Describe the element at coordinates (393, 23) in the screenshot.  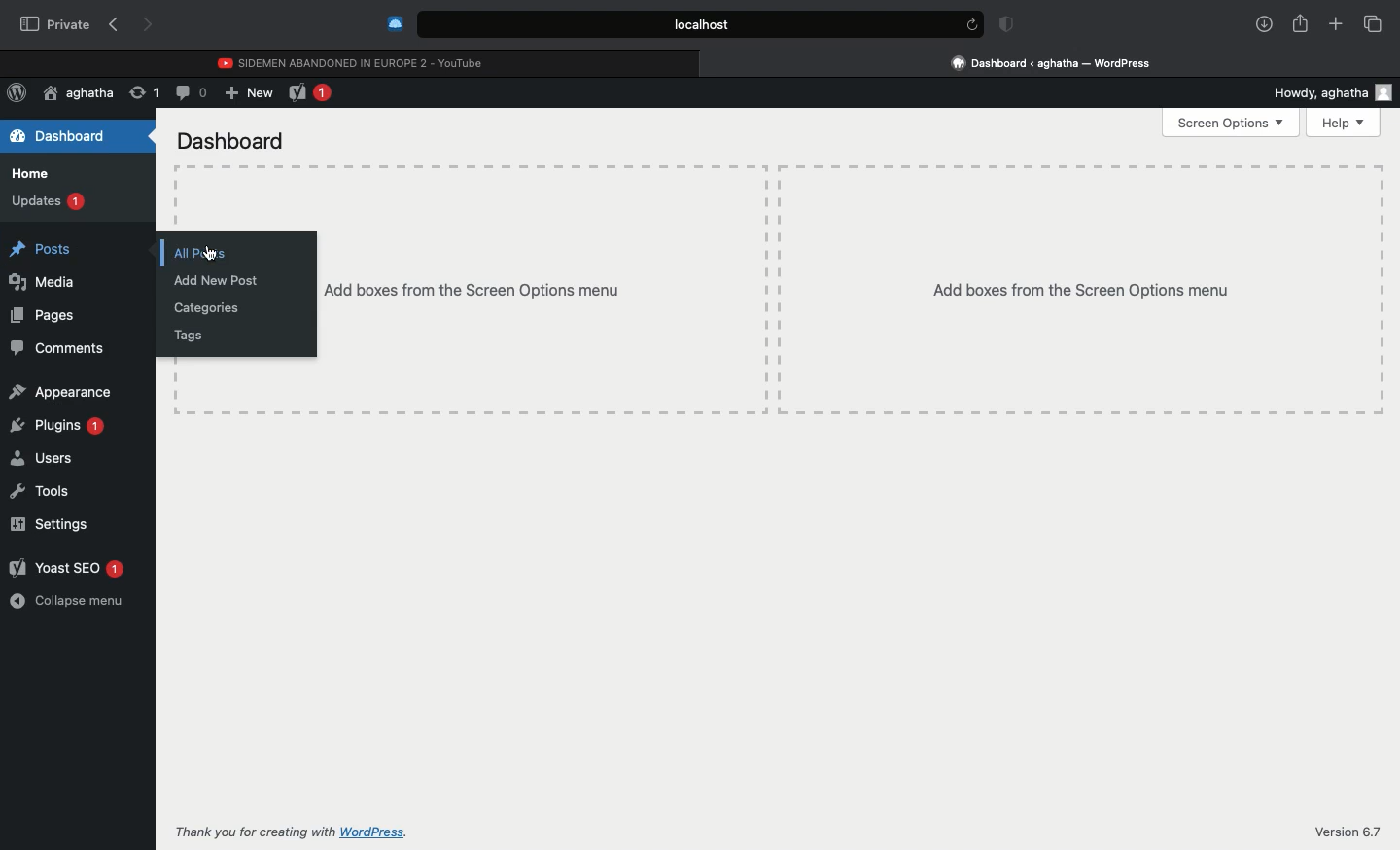
I see `Extensions` at that location.